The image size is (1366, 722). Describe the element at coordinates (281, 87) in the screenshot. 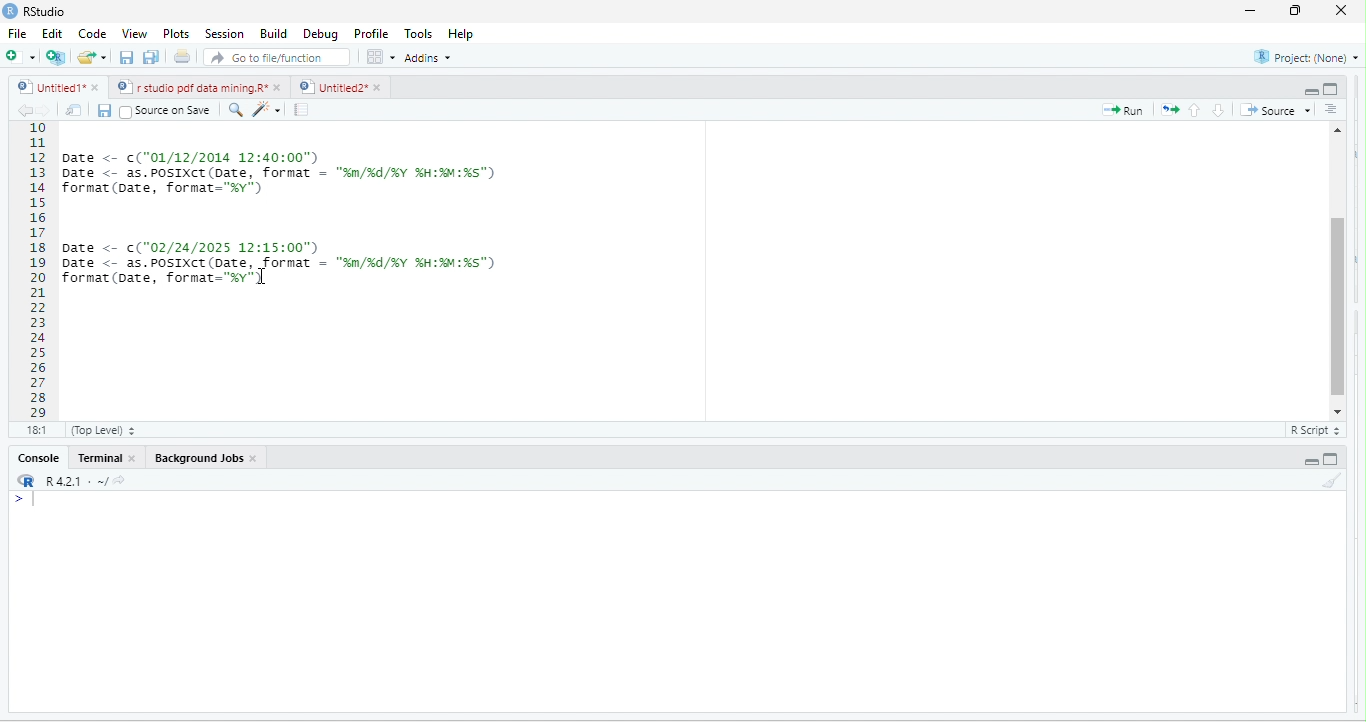

I see `close` at that location.